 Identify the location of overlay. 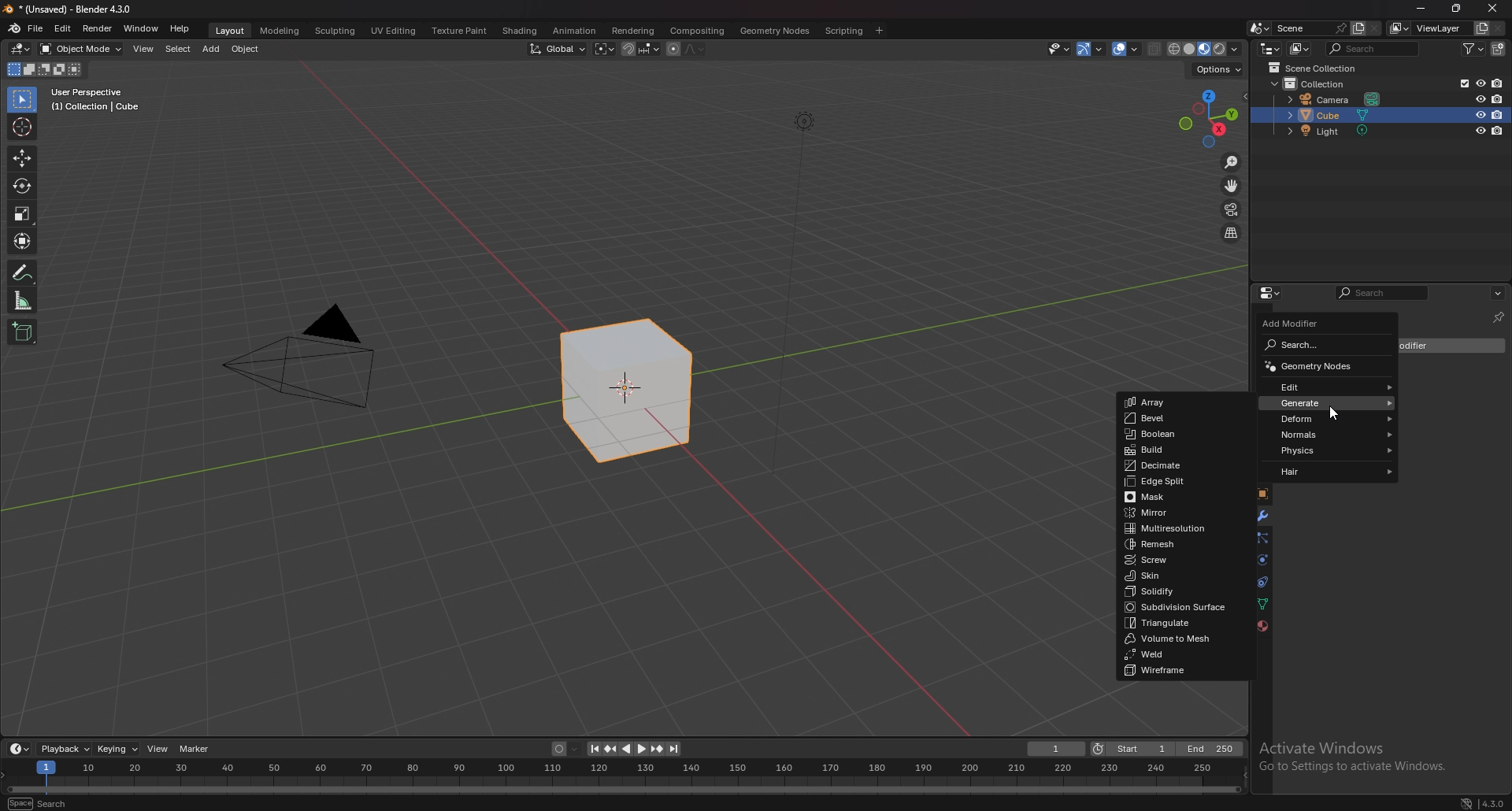
(1128, 49).